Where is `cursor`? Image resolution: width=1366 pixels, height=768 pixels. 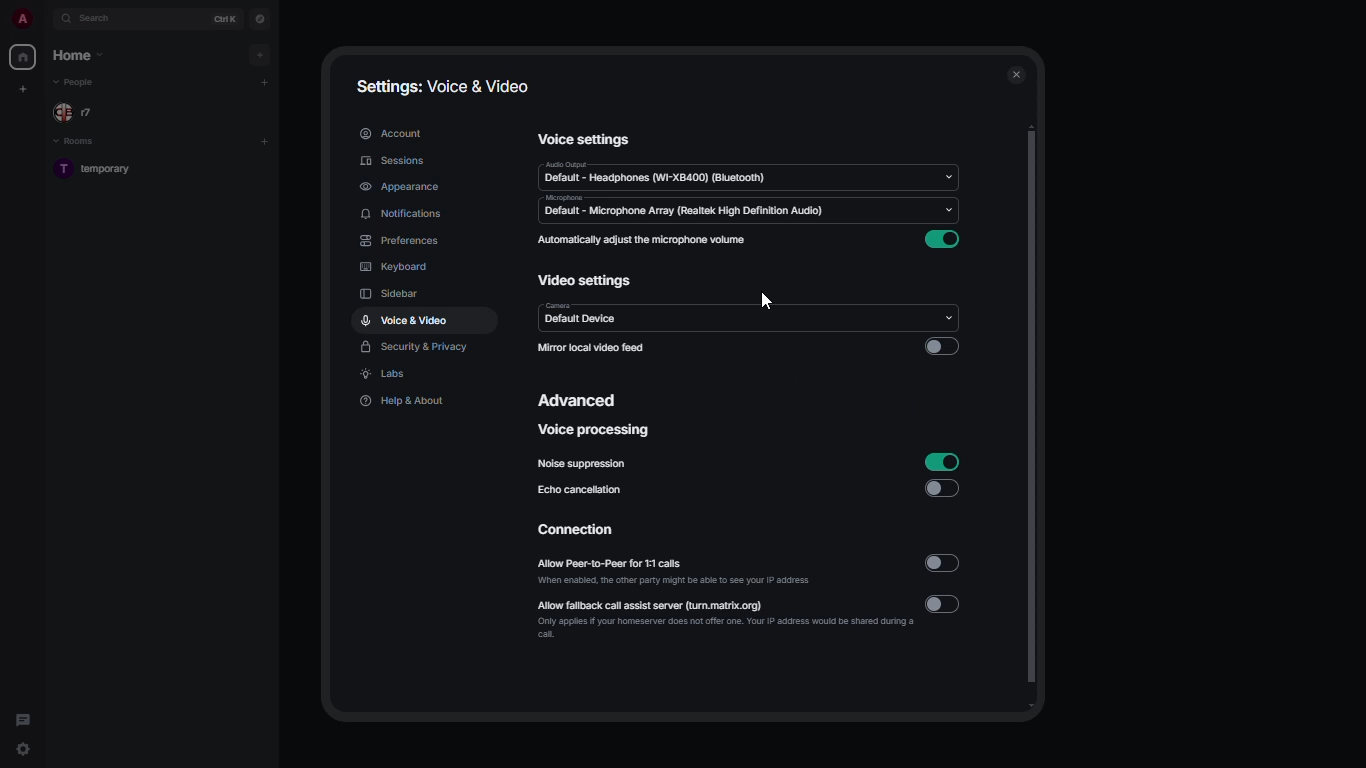
cursor is located at coordinates (766, 302).